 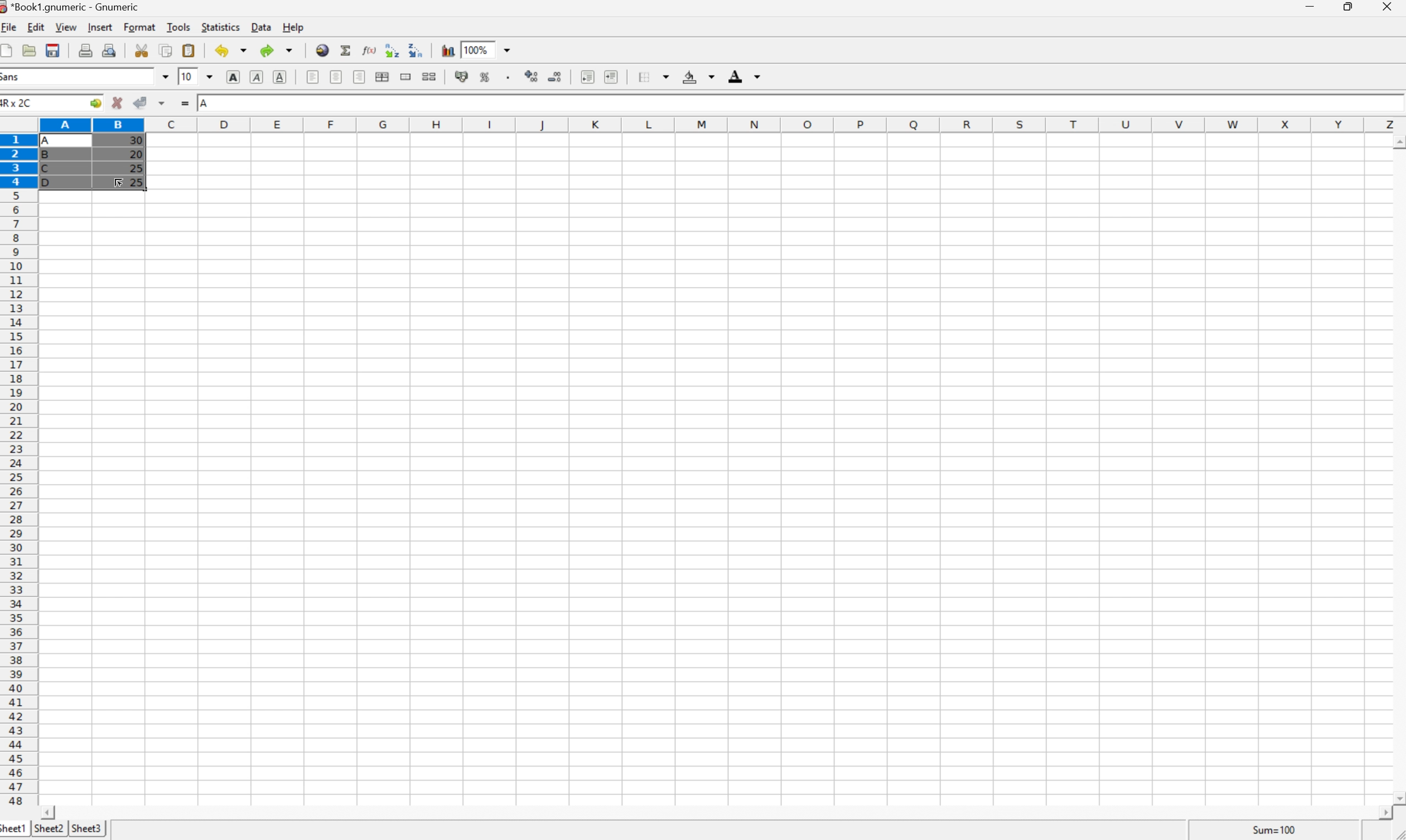 I want to click on 100%, so click(x=475, y=49).